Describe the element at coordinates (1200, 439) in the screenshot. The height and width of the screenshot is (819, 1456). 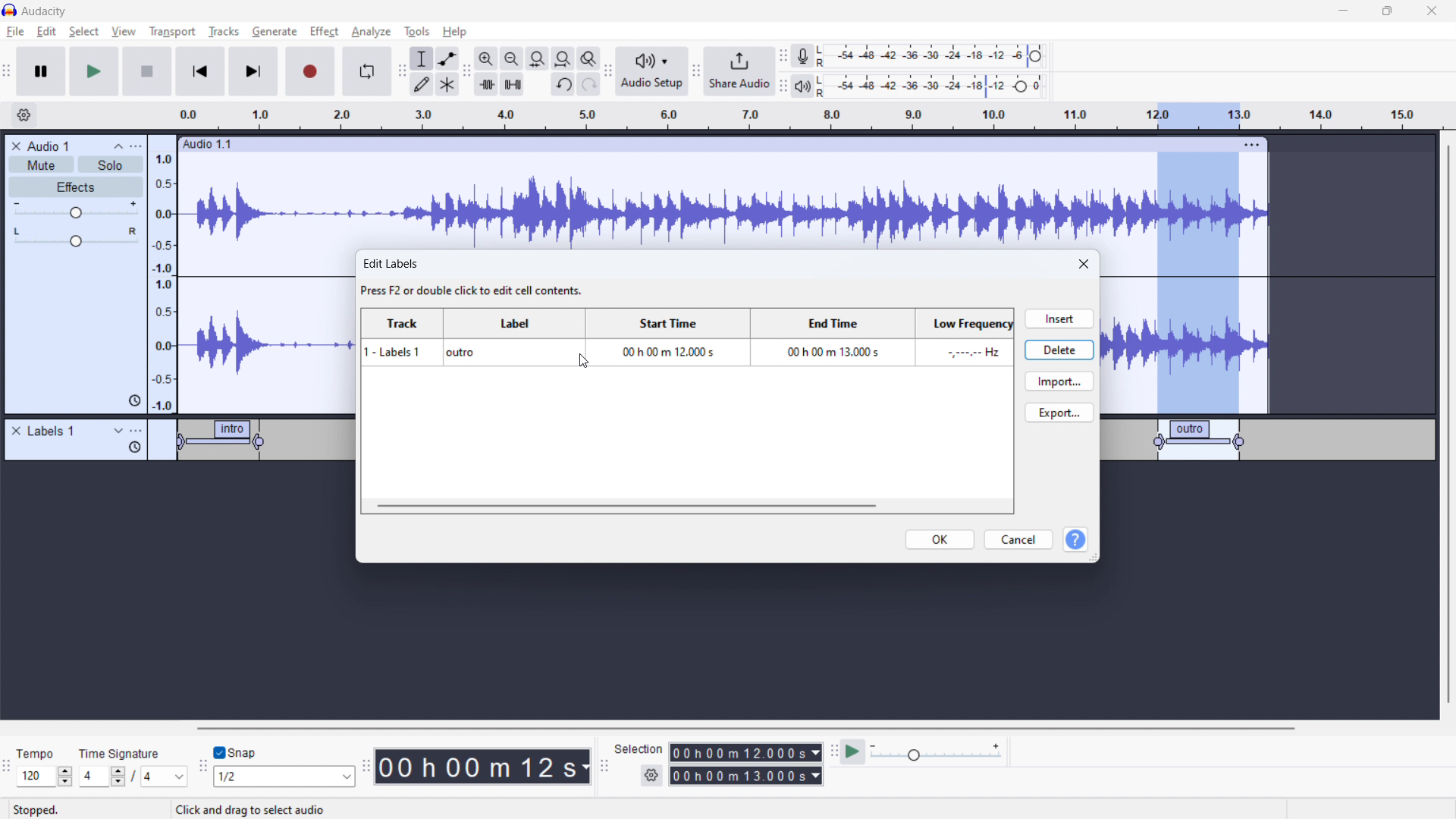
I see `label 3` at that location.